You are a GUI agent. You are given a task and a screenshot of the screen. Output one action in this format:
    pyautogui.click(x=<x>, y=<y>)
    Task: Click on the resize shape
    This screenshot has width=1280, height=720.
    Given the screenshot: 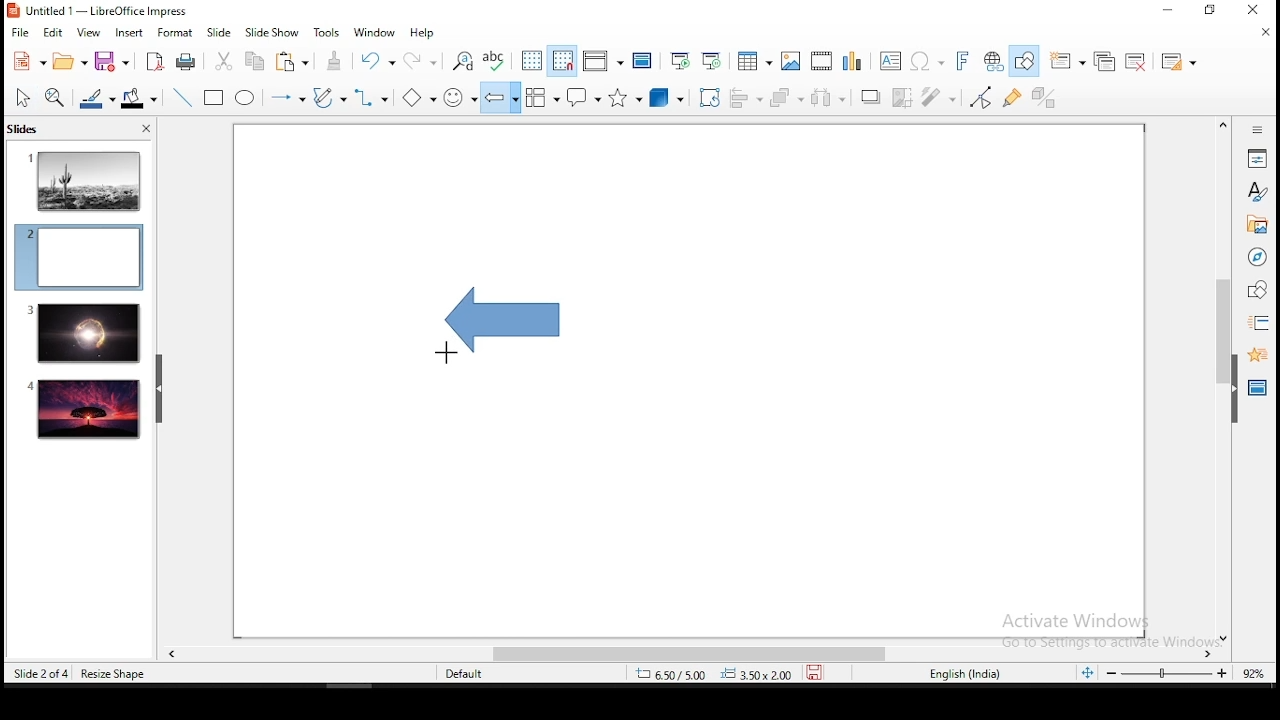 What is the action you would take?
    pyautogui.click(x=114, y=673)
    